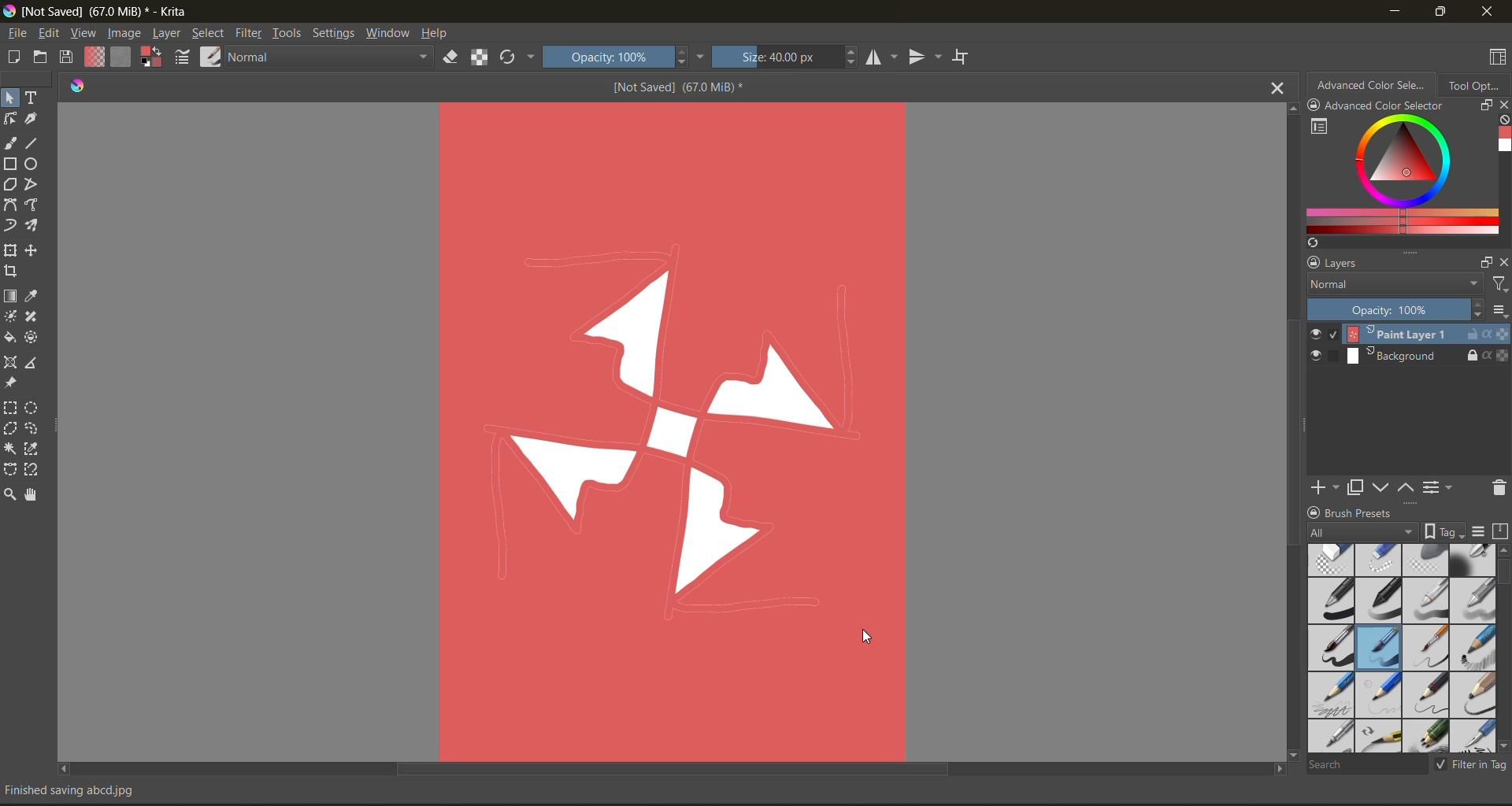 This screenshot has width=1512, height=806. What do you see at coordinates (251, 33) in the screenshot?
I see `filter` at bounding box center [251, 33].